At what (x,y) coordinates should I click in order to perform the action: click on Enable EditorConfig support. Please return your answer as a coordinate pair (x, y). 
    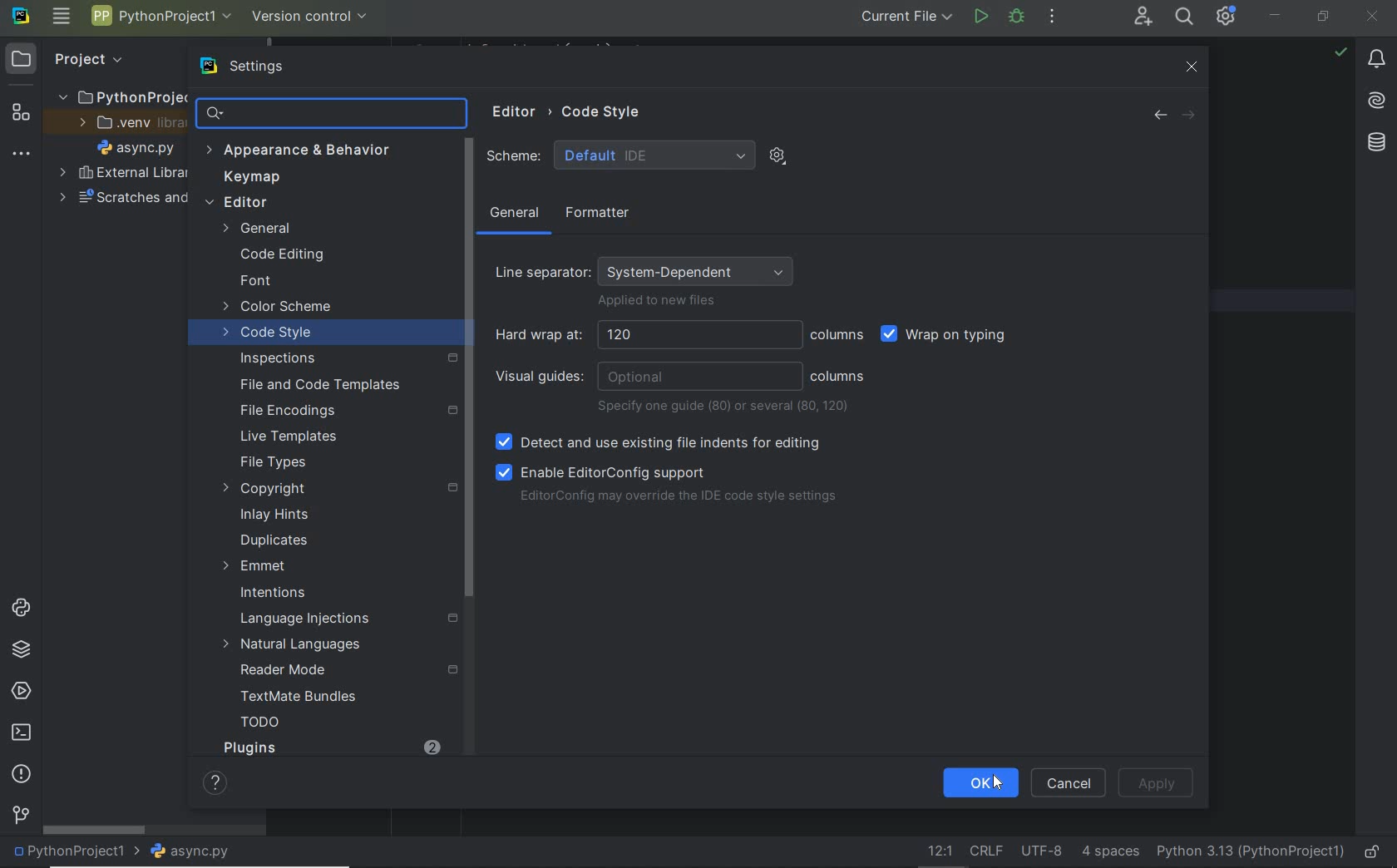
    Looking at the image, I should click on (601, 471).